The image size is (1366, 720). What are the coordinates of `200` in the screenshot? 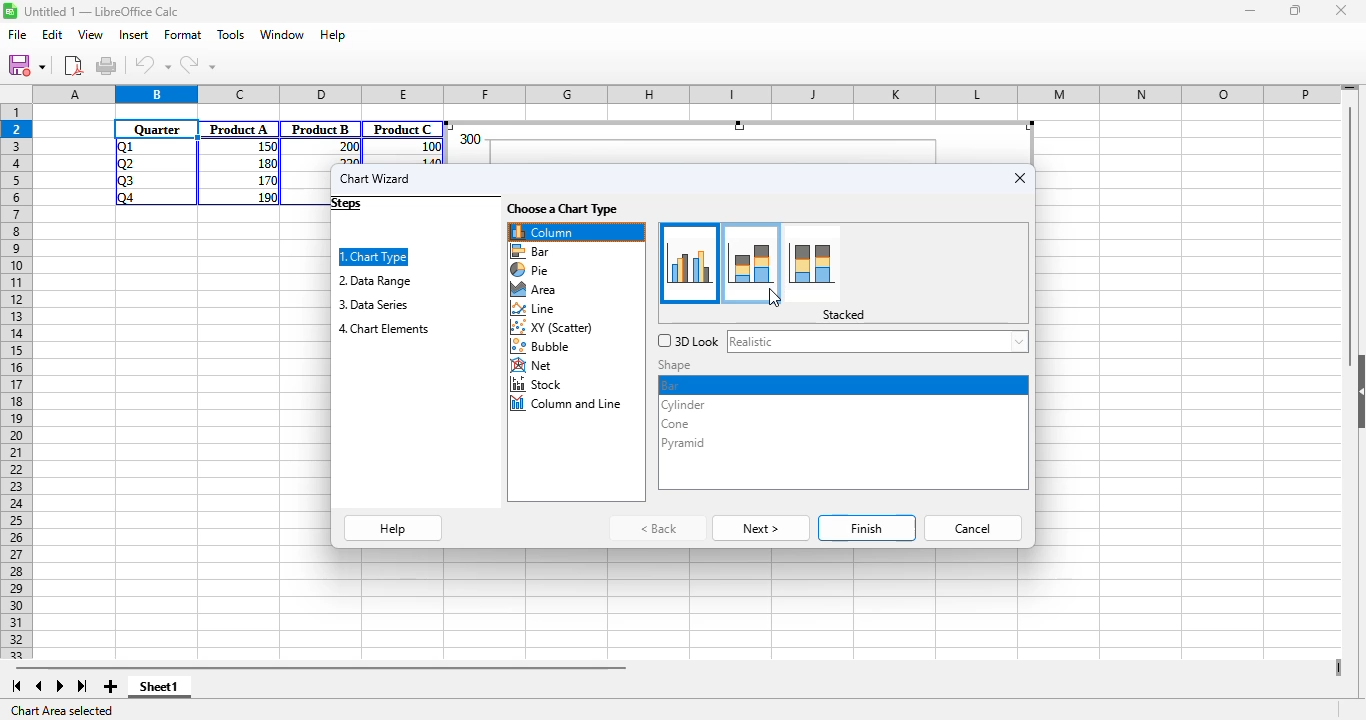 It's located at (347, 147).